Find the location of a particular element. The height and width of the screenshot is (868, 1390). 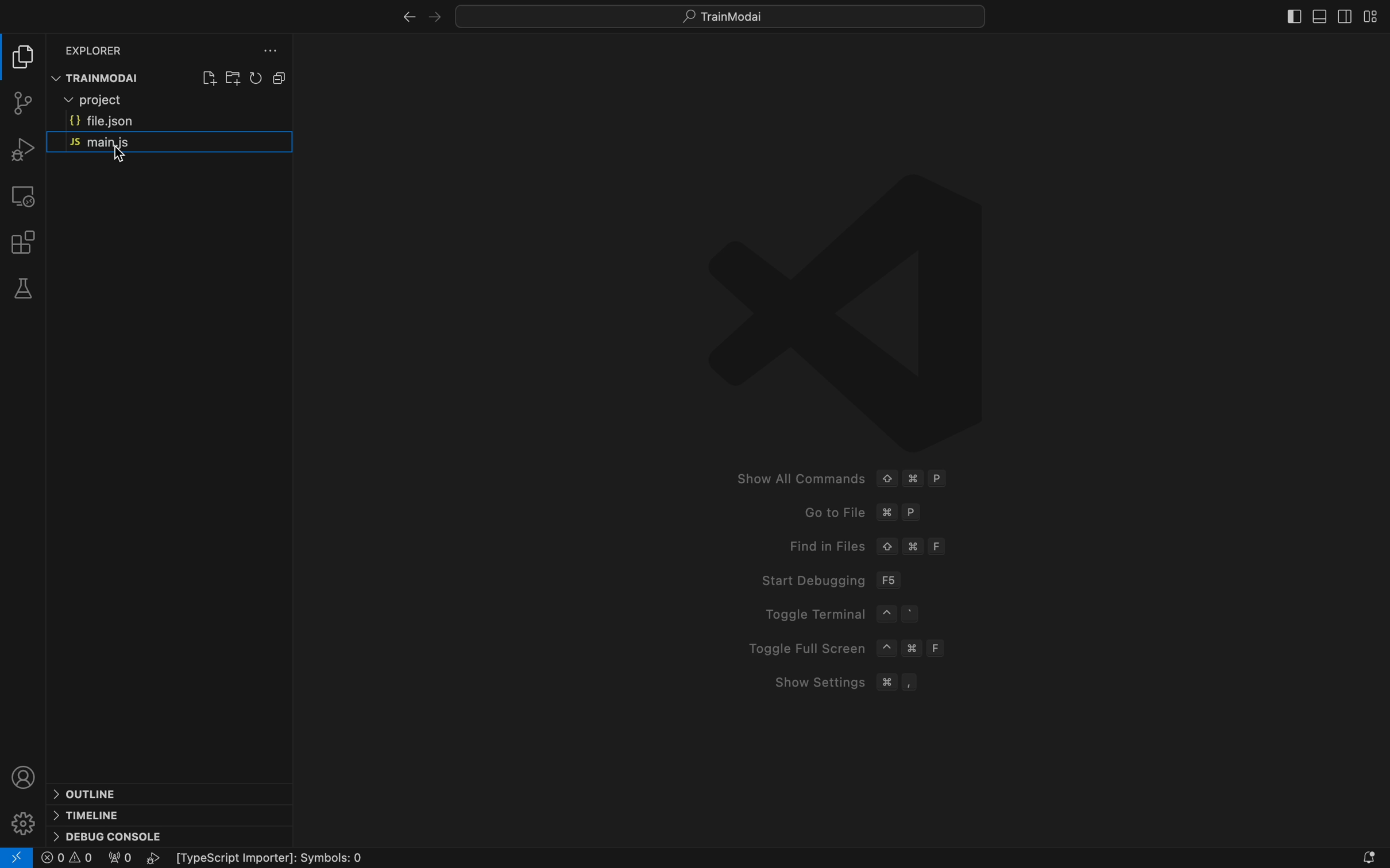

searchbar is located at coordinates (725, 16).